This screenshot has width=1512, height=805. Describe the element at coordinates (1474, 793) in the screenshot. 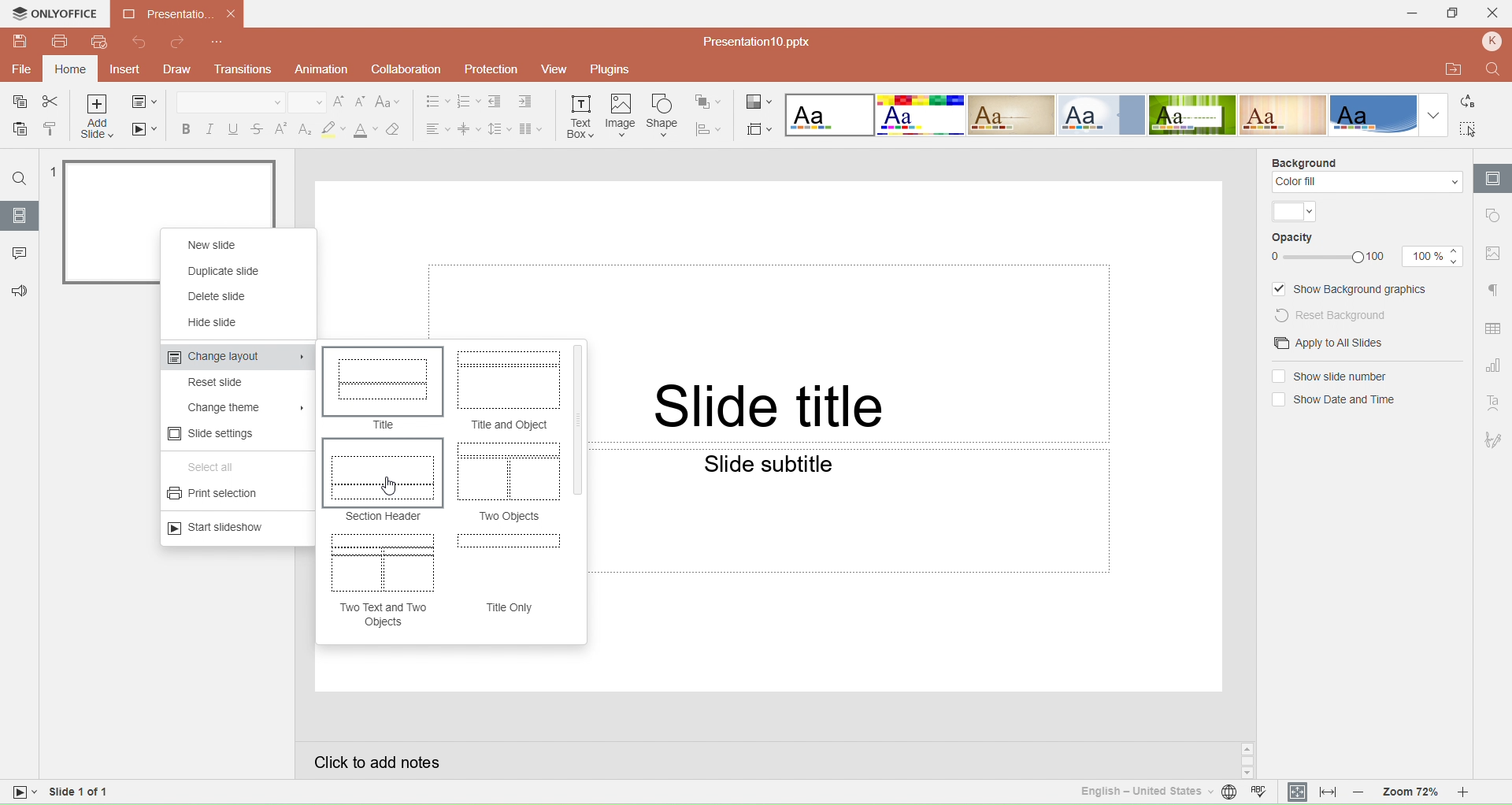

I see `Zoom in` at that location.